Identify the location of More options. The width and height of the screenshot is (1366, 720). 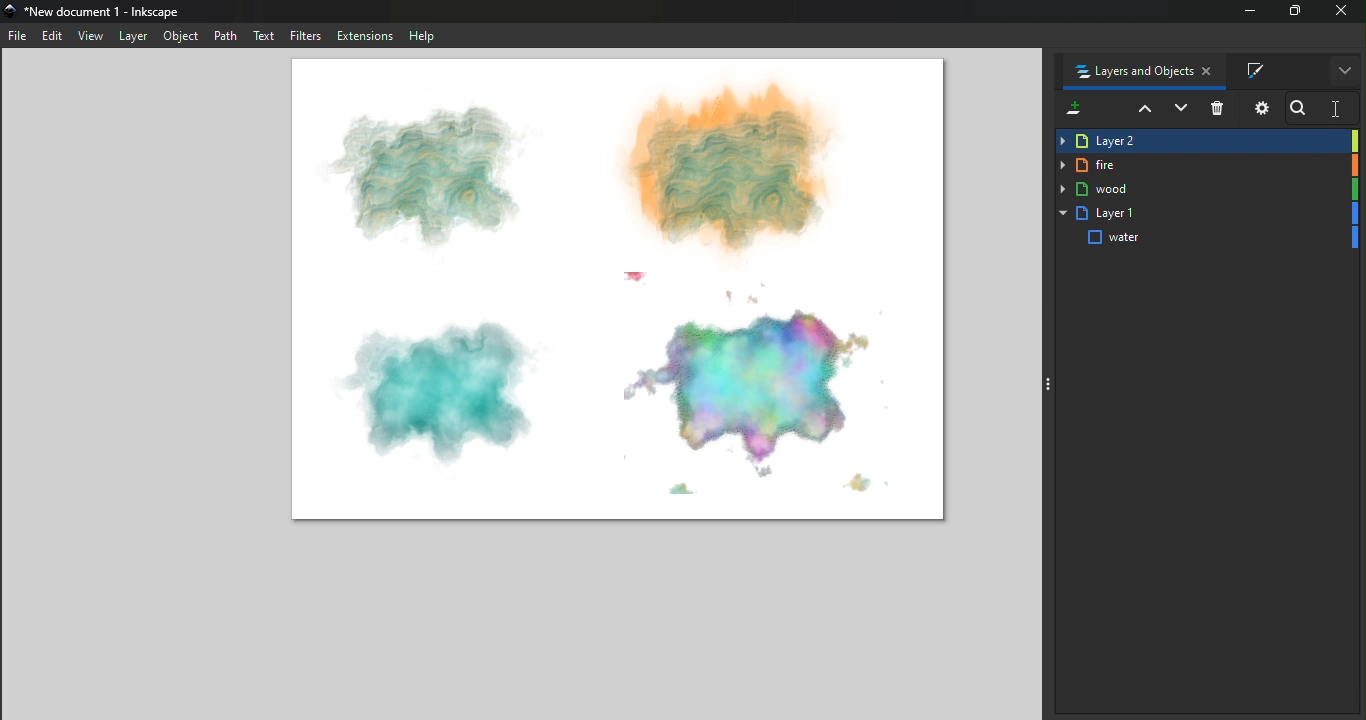
(1345, 70).